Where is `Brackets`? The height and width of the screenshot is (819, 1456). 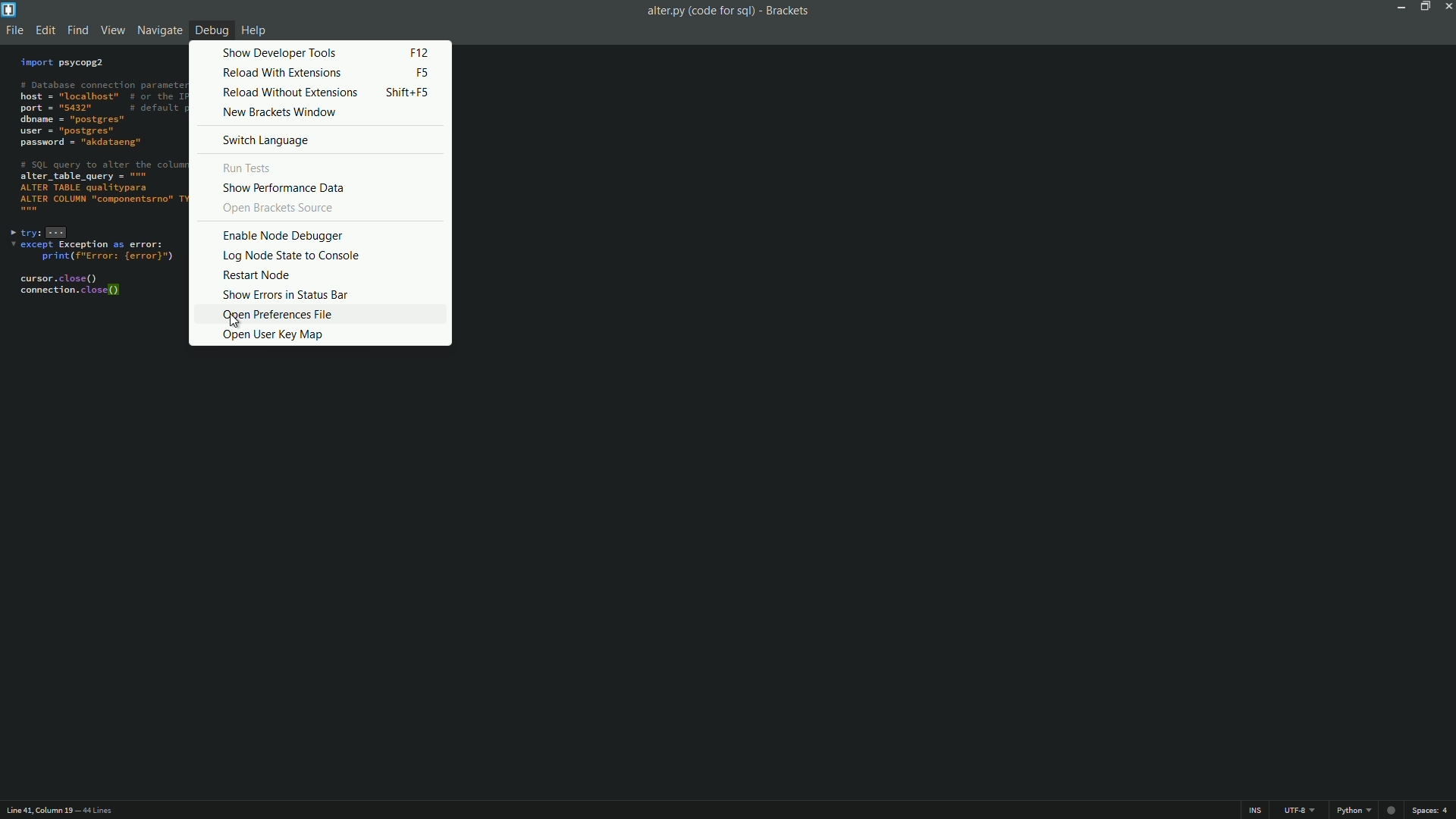
Brackets is located at coordinates (790, 11).